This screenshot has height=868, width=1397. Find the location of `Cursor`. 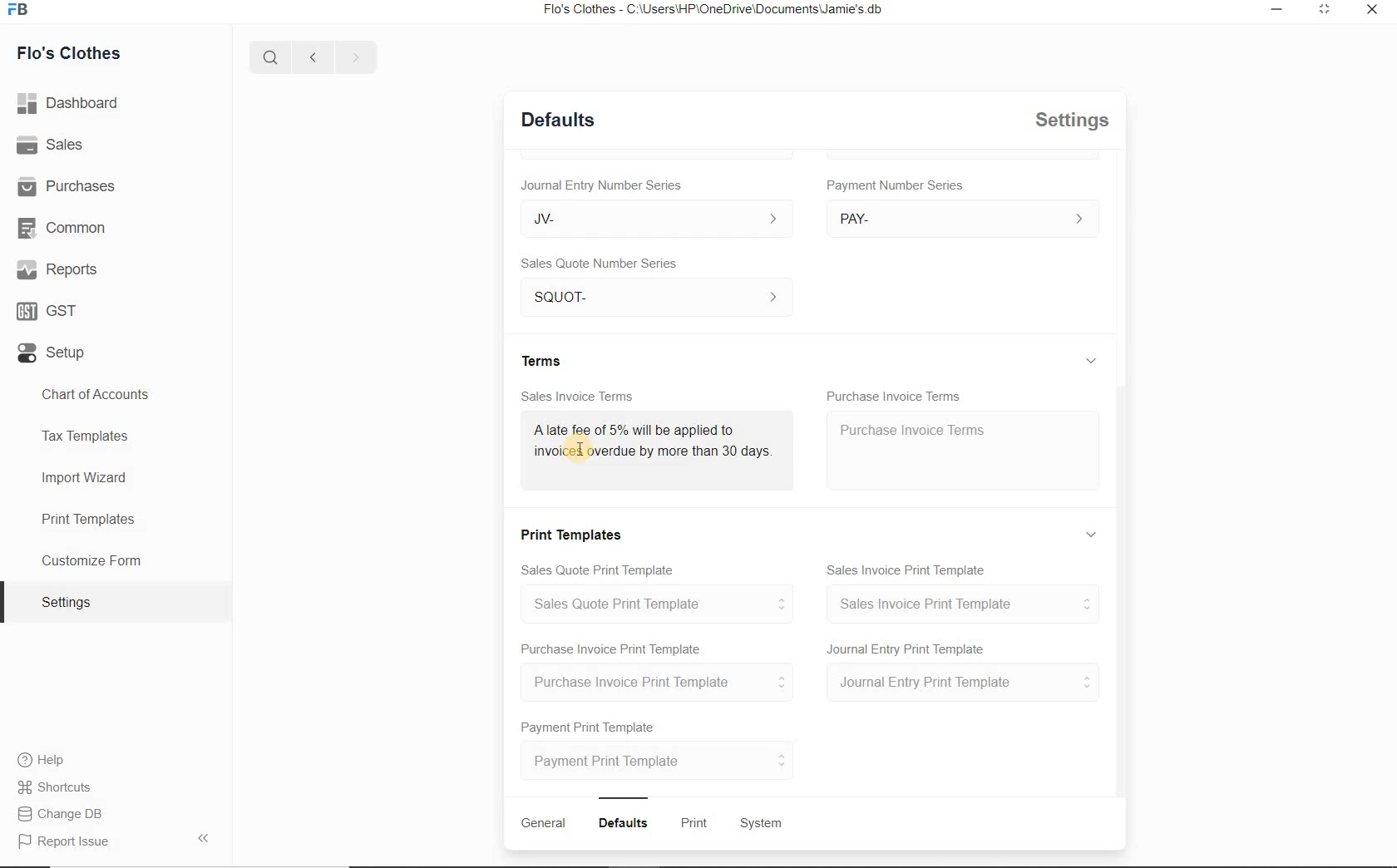

Cursor is located at coordinates (577, 450).